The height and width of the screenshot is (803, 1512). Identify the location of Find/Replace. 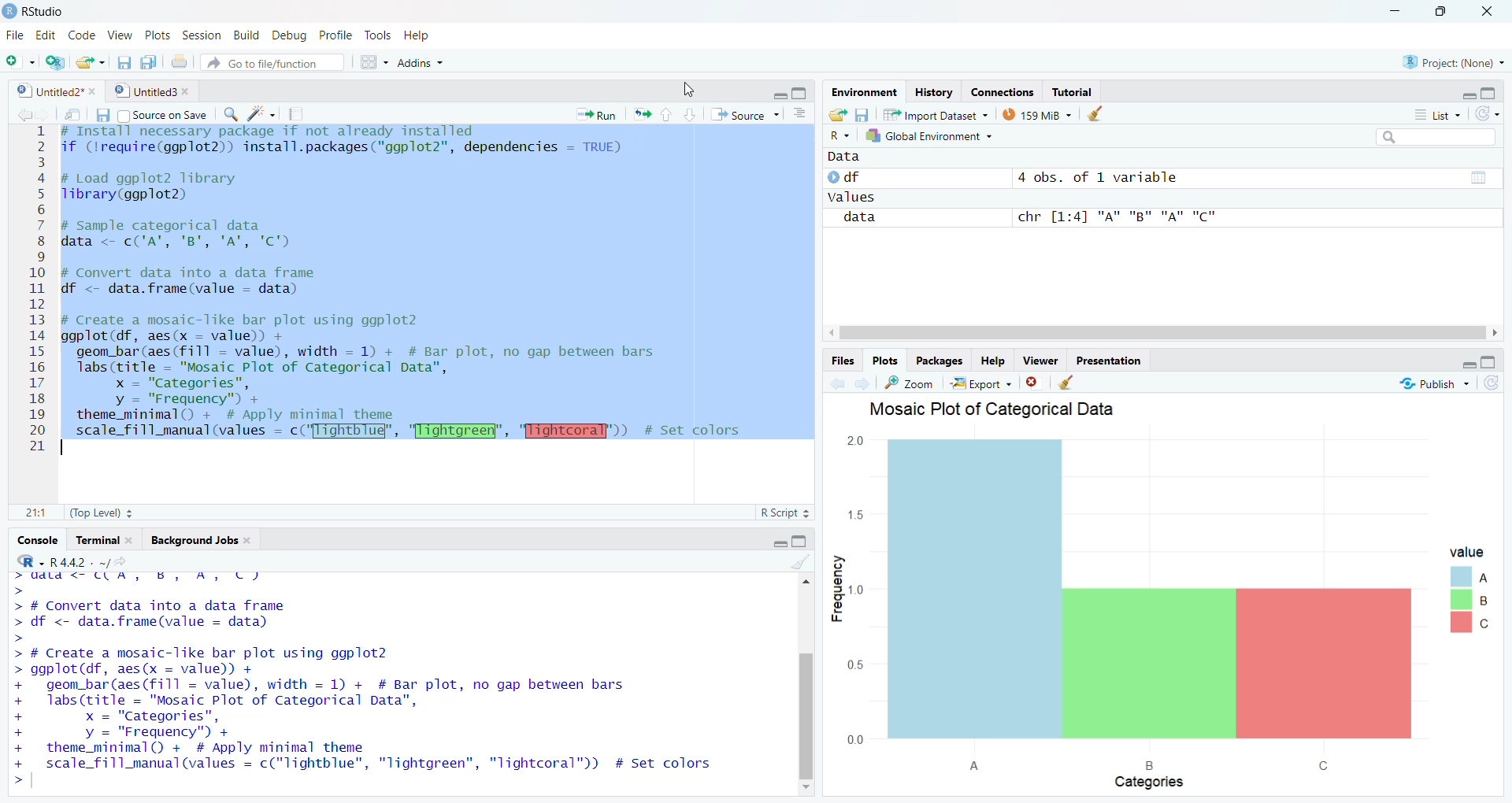
(230, 113).